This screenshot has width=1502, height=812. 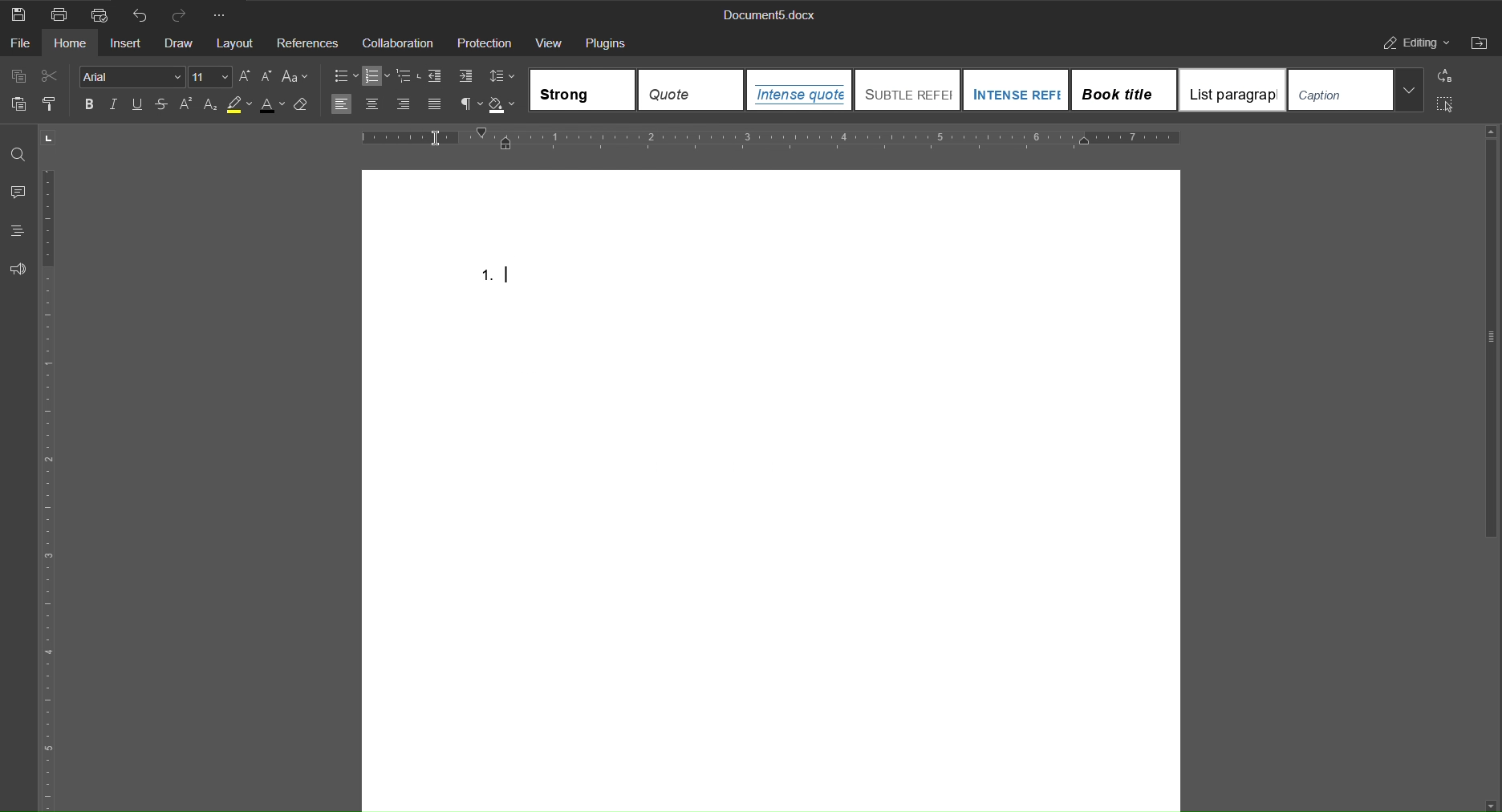 What do you see at coordinates (1491, 132) in the screenshot?
I see `scroll up` at bounding box center [1491, 132].